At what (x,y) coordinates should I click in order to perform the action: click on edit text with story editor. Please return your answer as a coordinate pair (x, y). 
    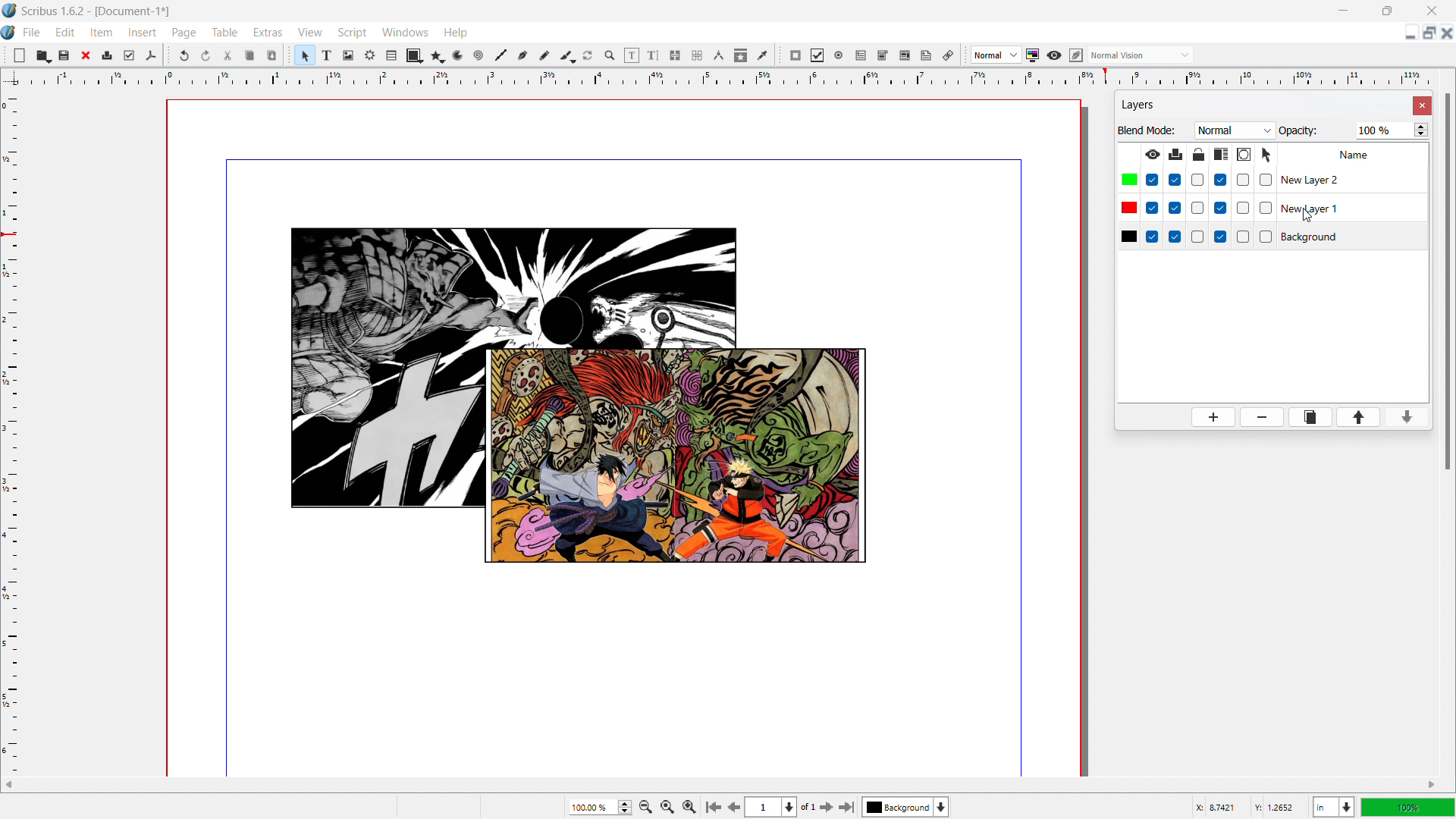
    Looking at the image, I should click on (654, 55).